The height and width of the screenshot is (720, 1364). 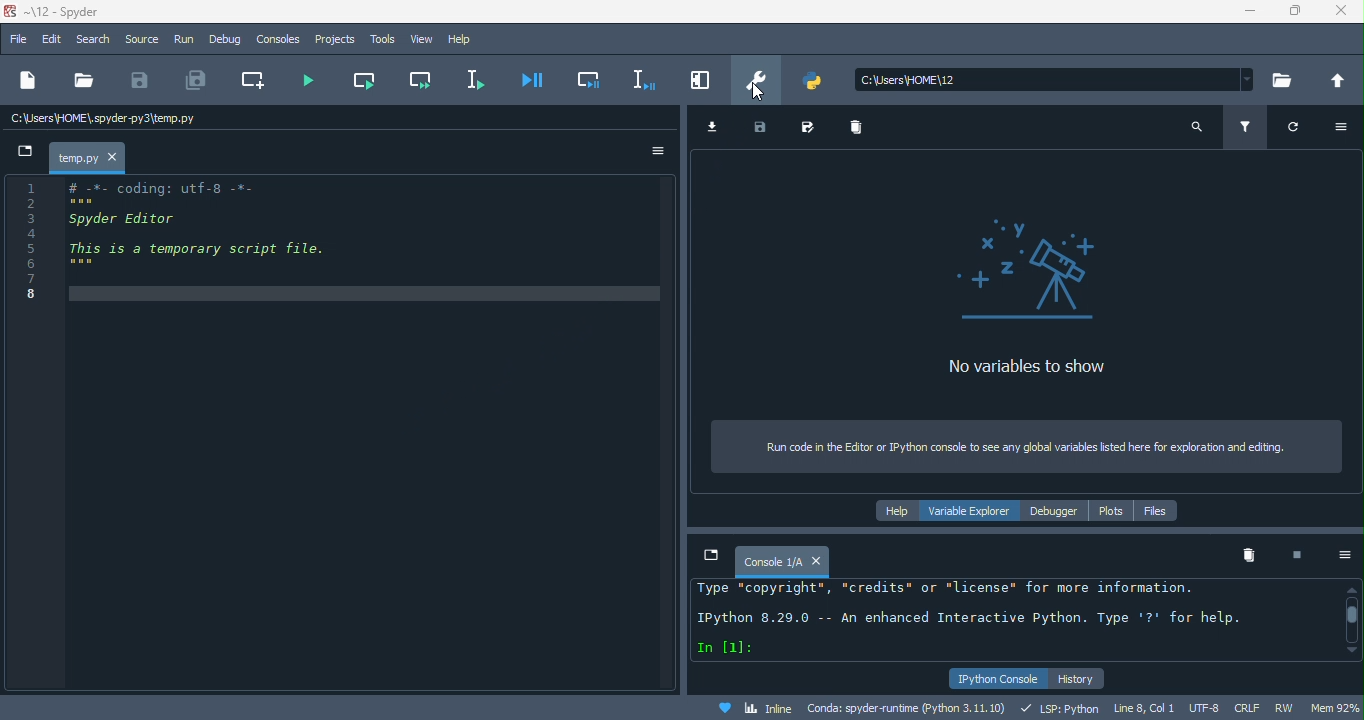 I want to click on option, so click(x=1337, y=555).